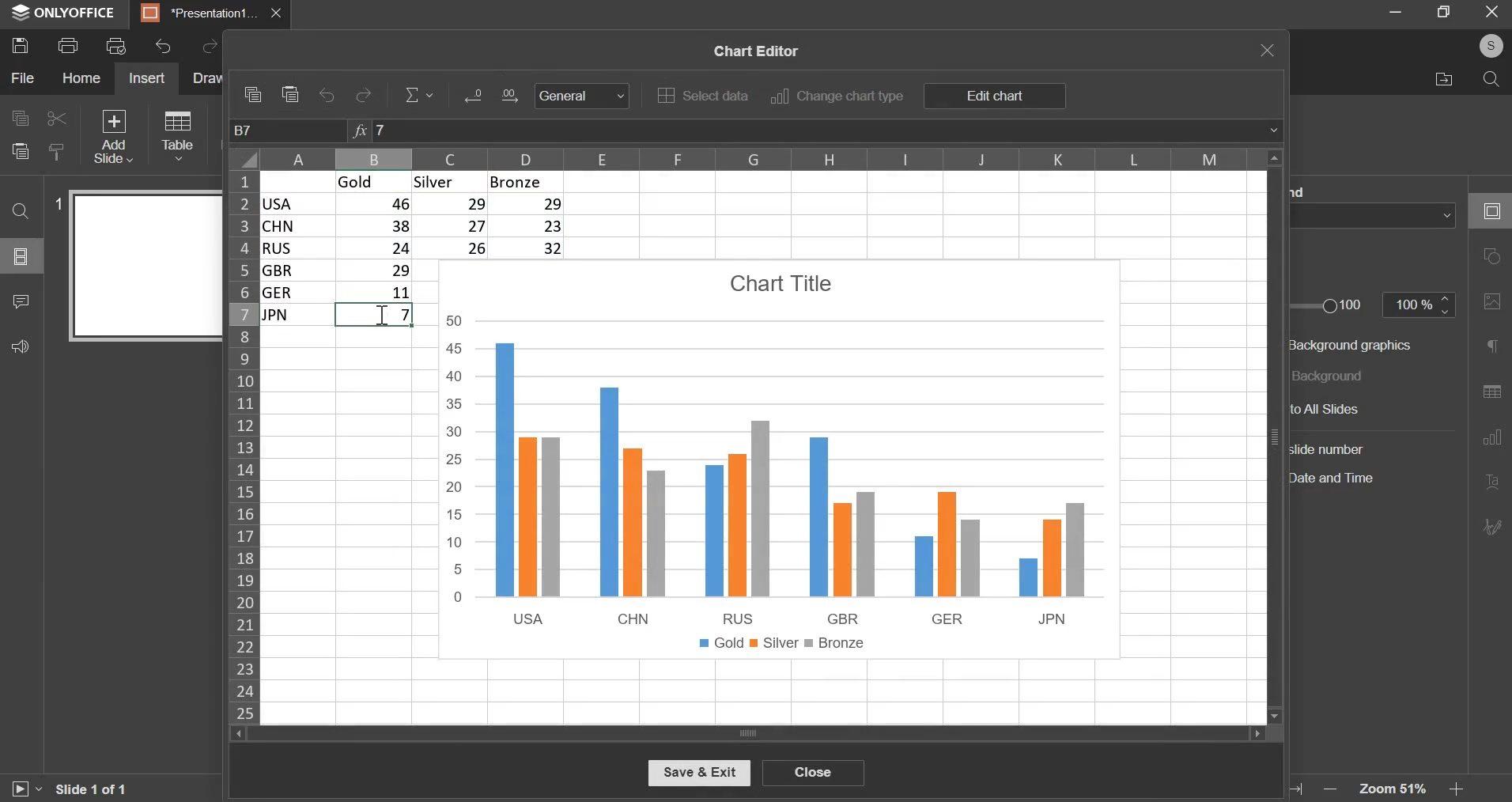 This screenshot has width=1512, height=802. I want to click on cut, so click(54, 119).